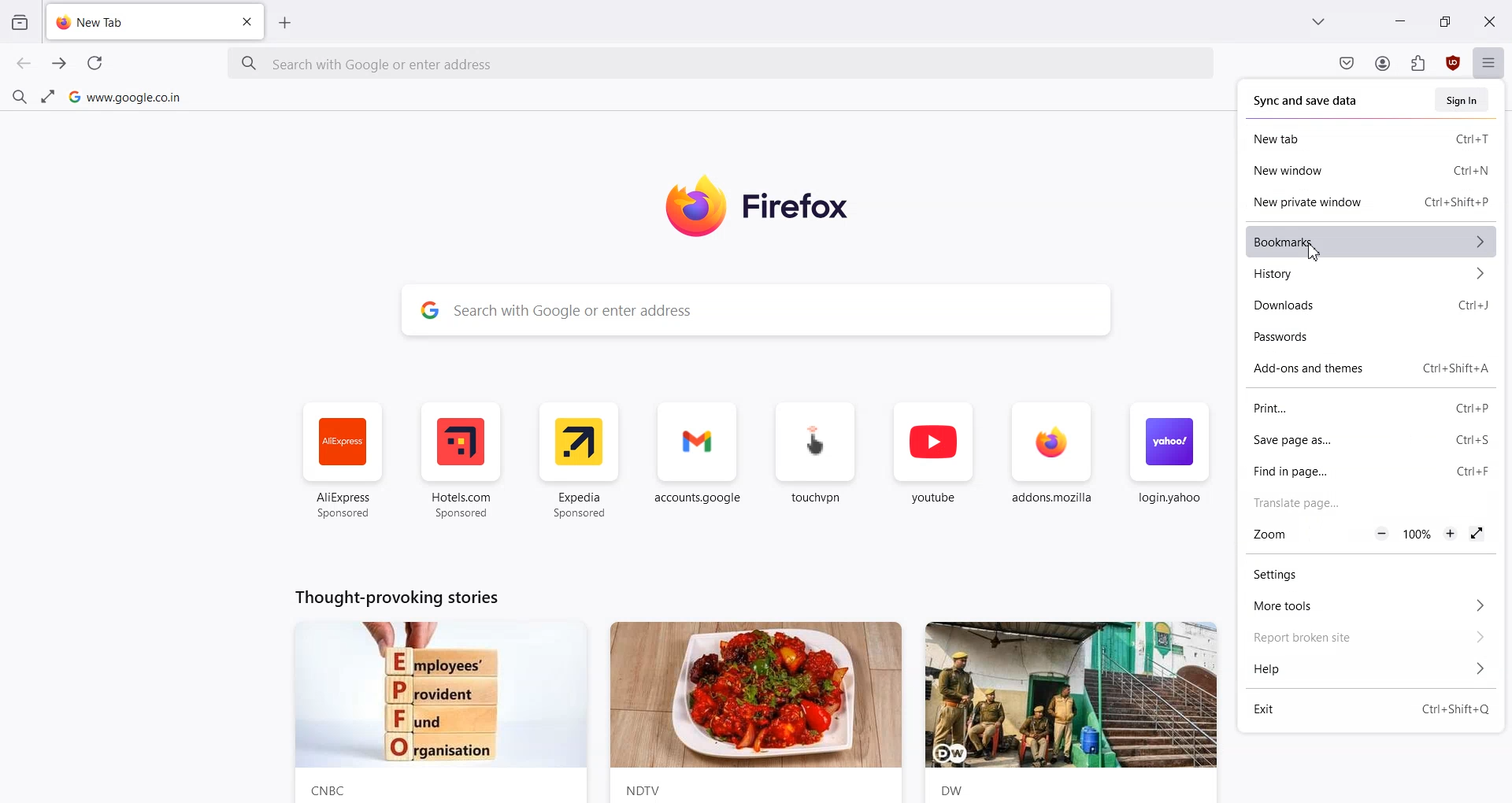  What do you see at coordinates (1372, 274) in the screenshot?
I see `History` at bounding box center [1372, 274].